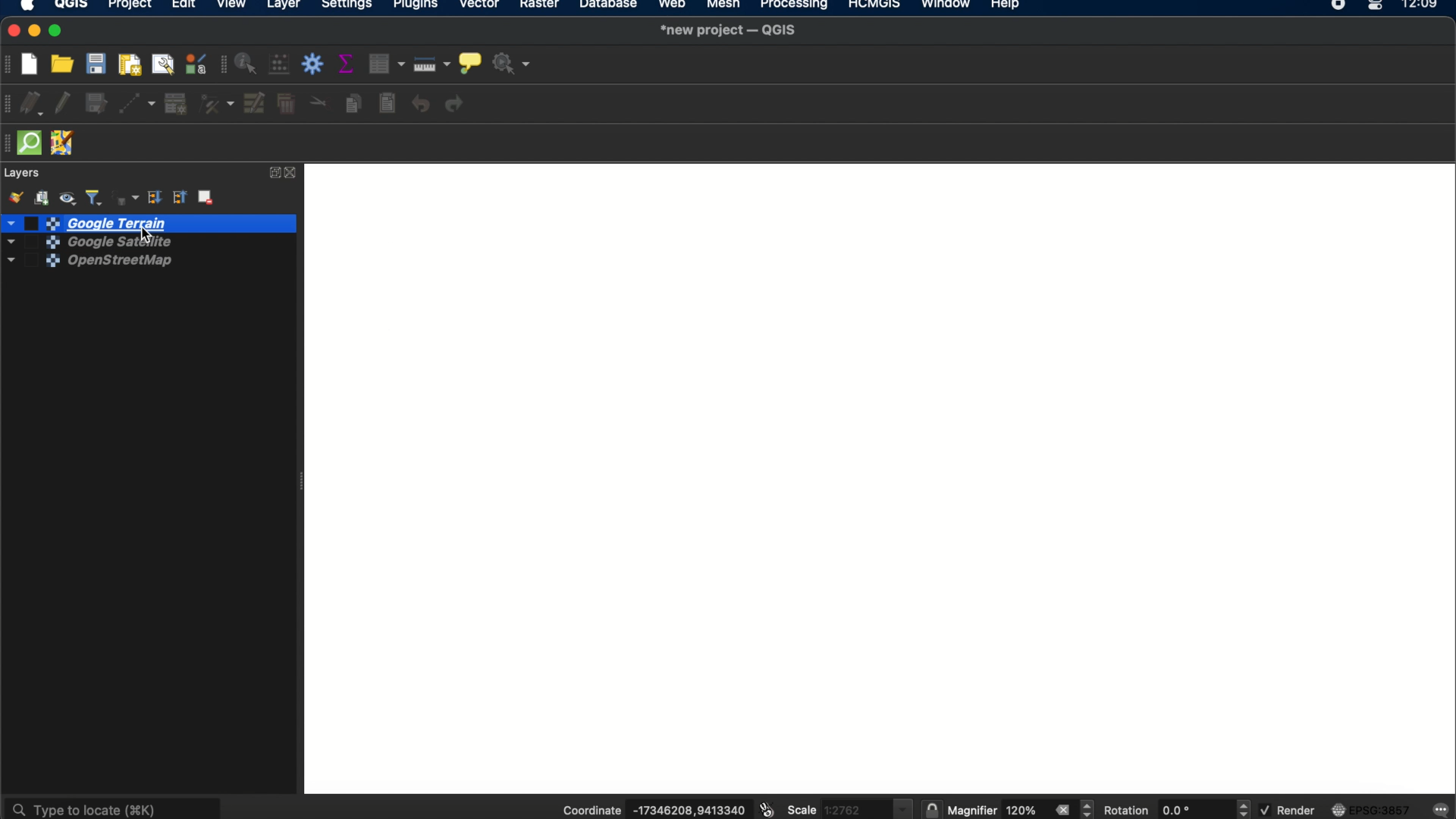  Describe the element at coordinates (421, 105) in the screenshot. I see `undo` at that location.